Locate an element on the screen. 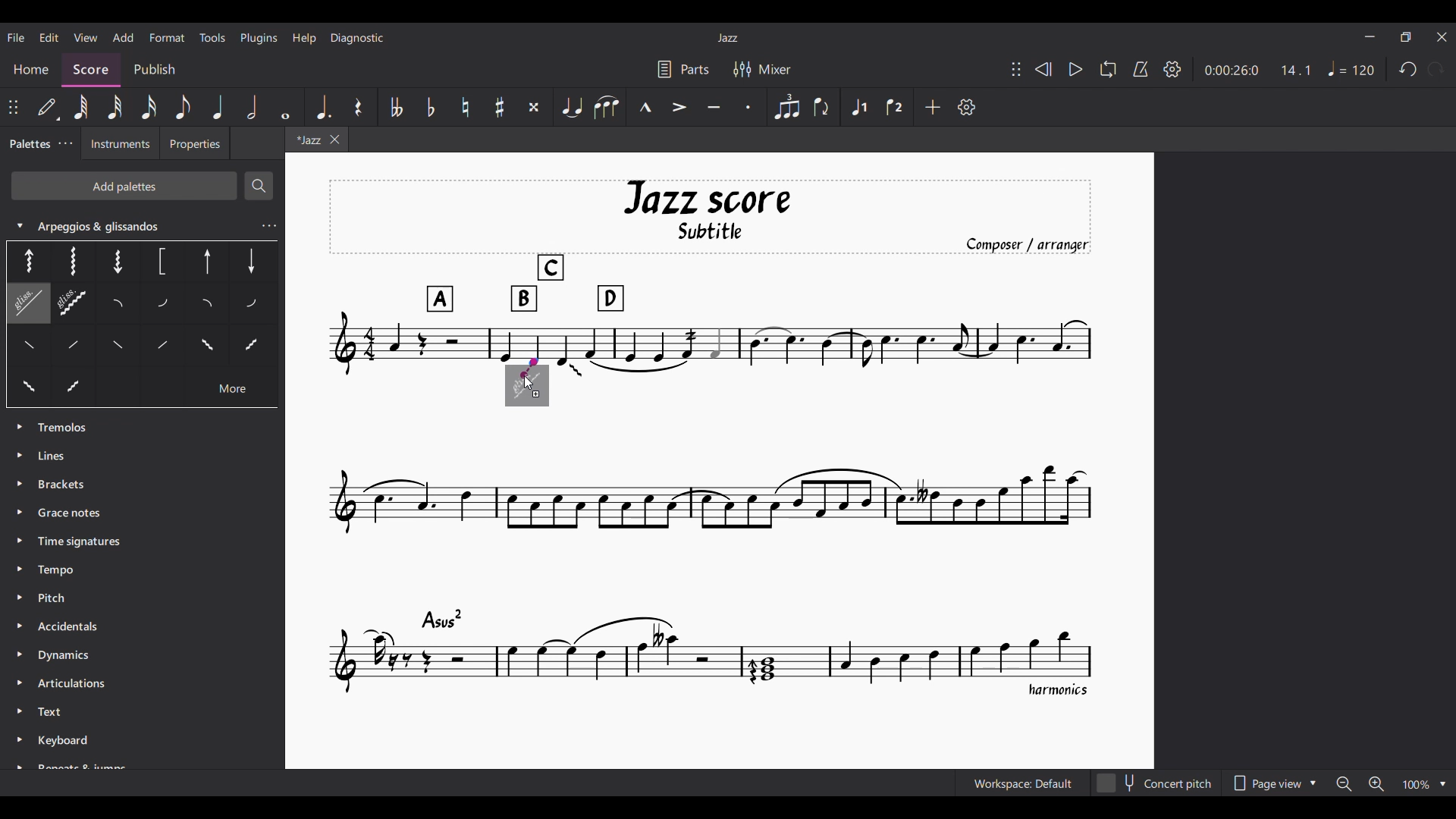  64th note is located at coordinates (80, 106).